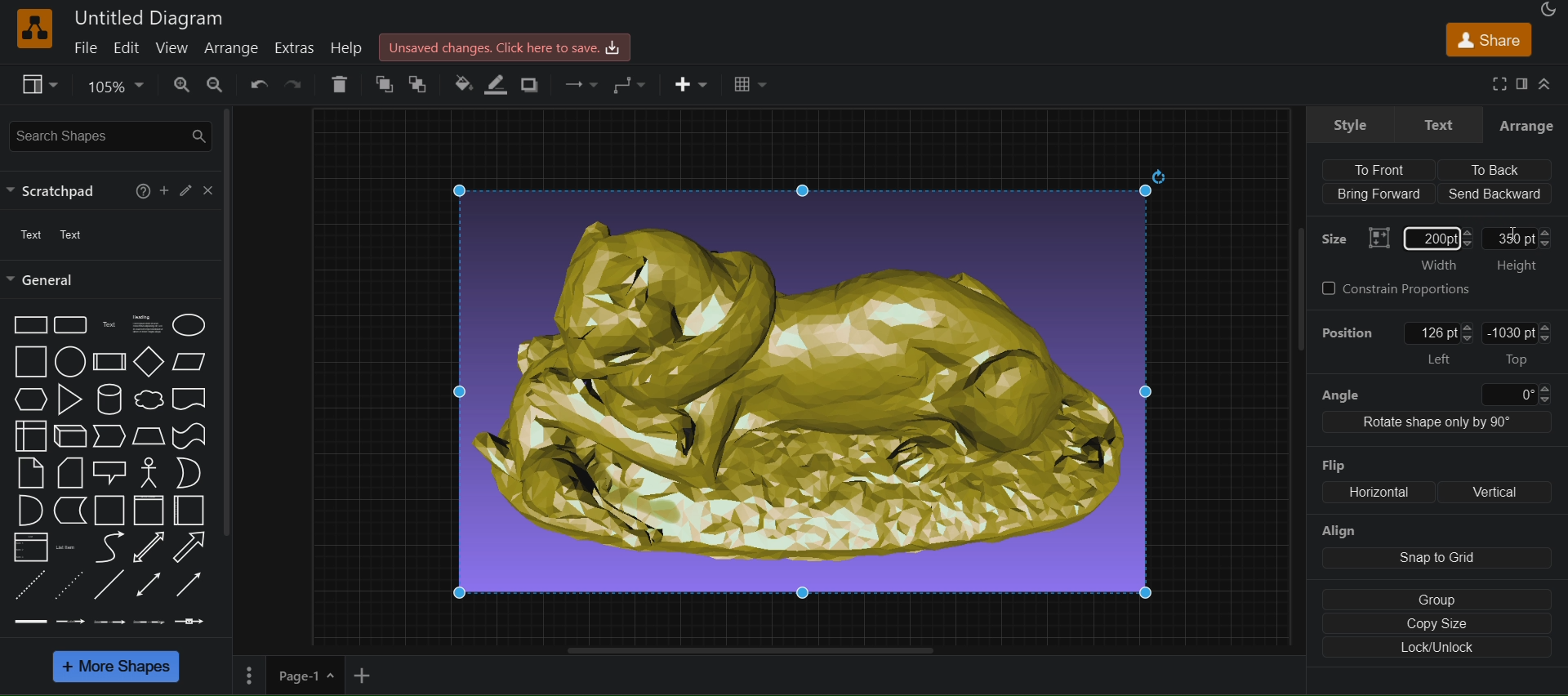  Describe the element at coordinates (350, 47) in the screenshot. I see `help` at that location.